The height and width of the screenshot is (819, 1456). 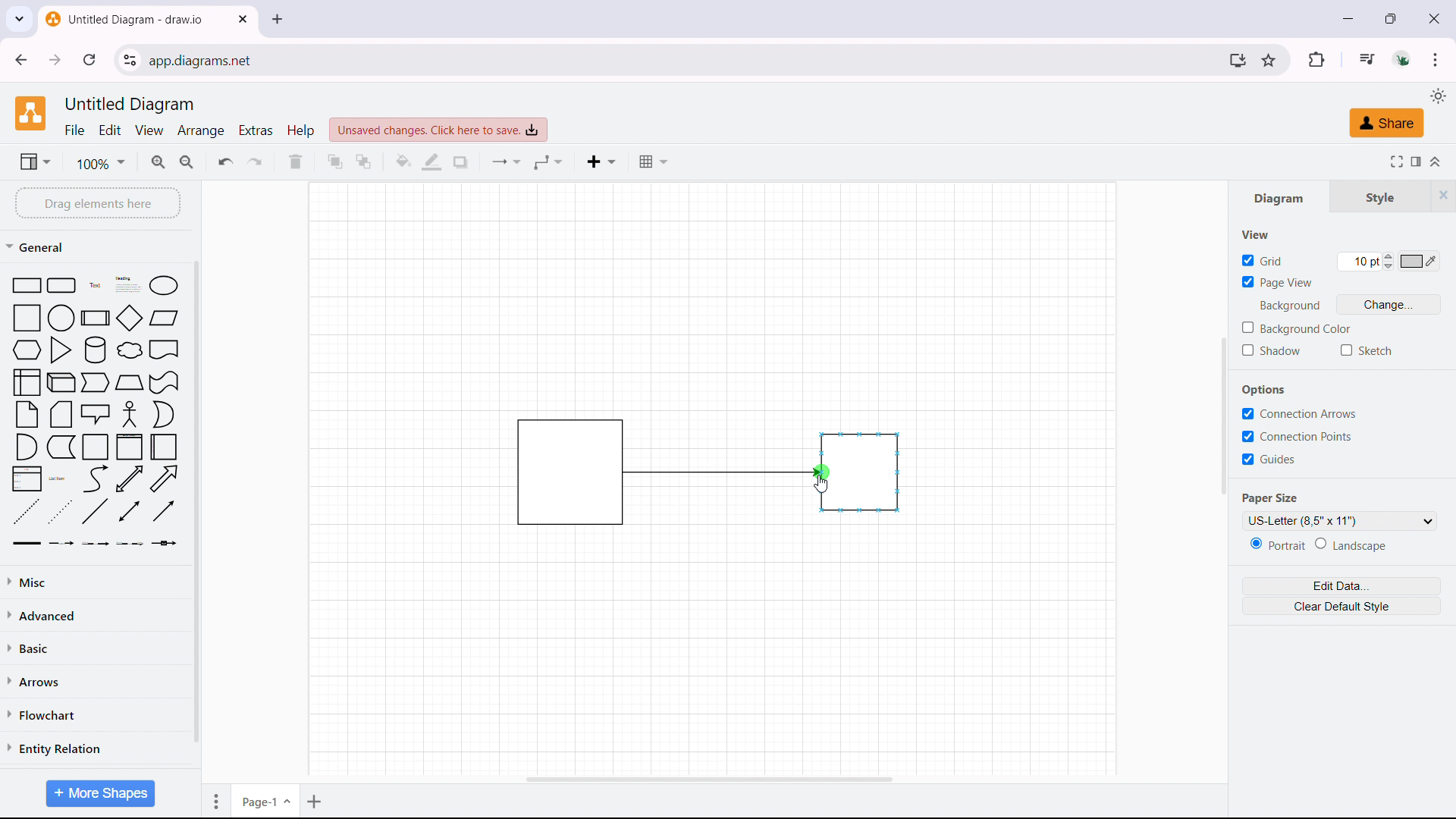 What do you see at coordinates (1365, 262) in the screenshot?
I see `grid size` at bounding box center [1365, 262].